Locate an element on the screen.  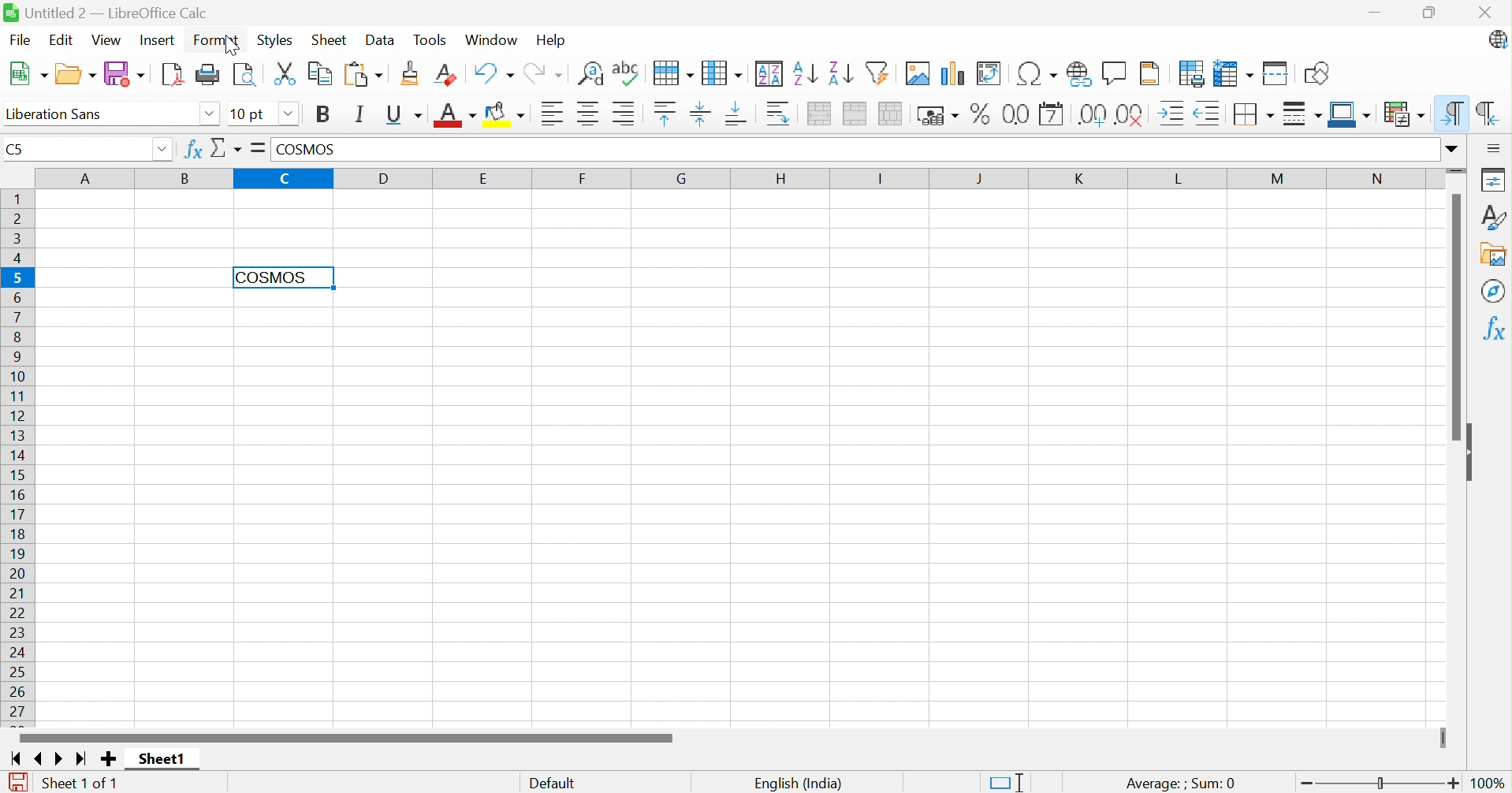
Align Bottom is located at coordinates (740, 116).